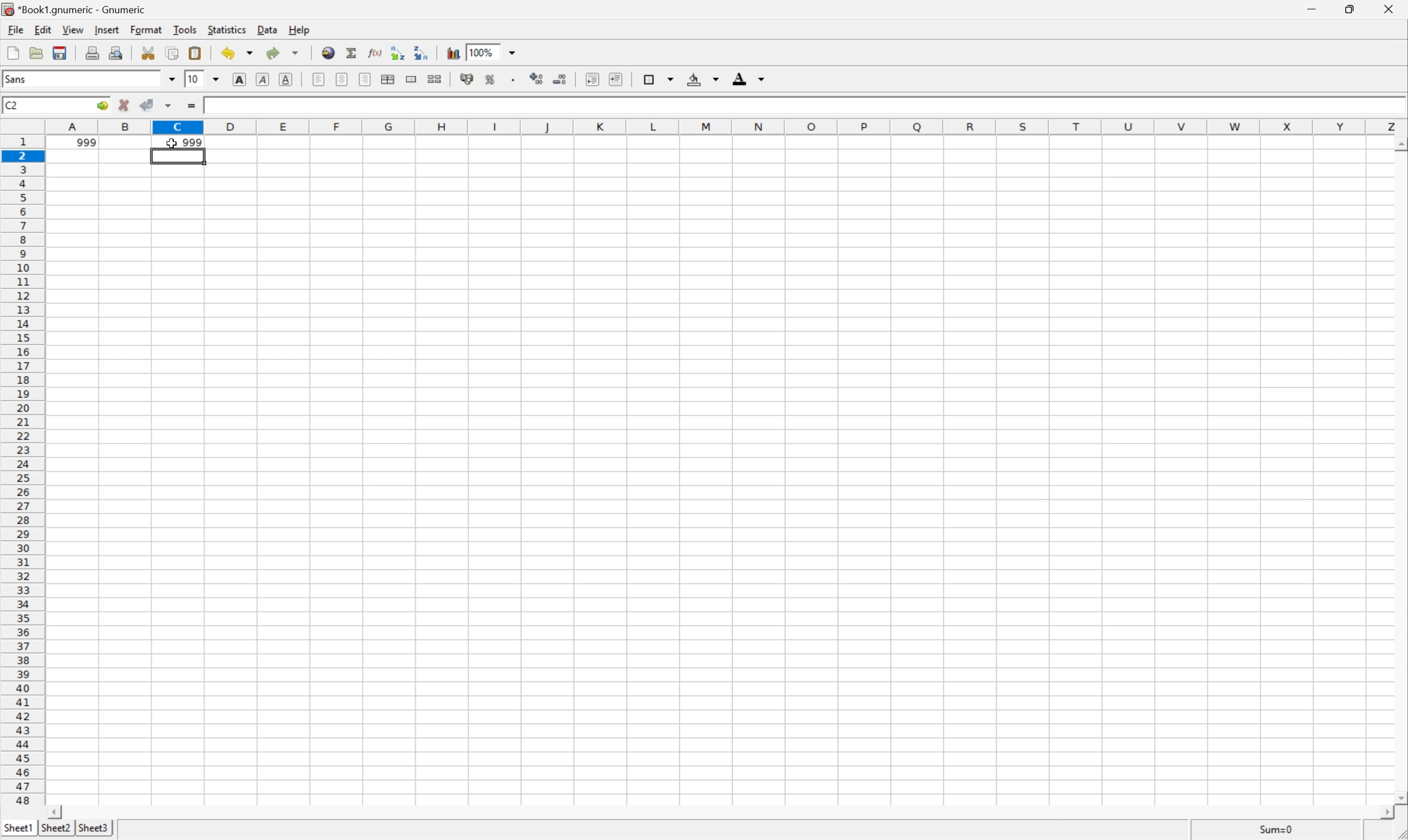 The height and width of the screenshot is (840, 1408). Describe the element at coordinates (749, 78) in the screenshot. I see `foreground` at that location.